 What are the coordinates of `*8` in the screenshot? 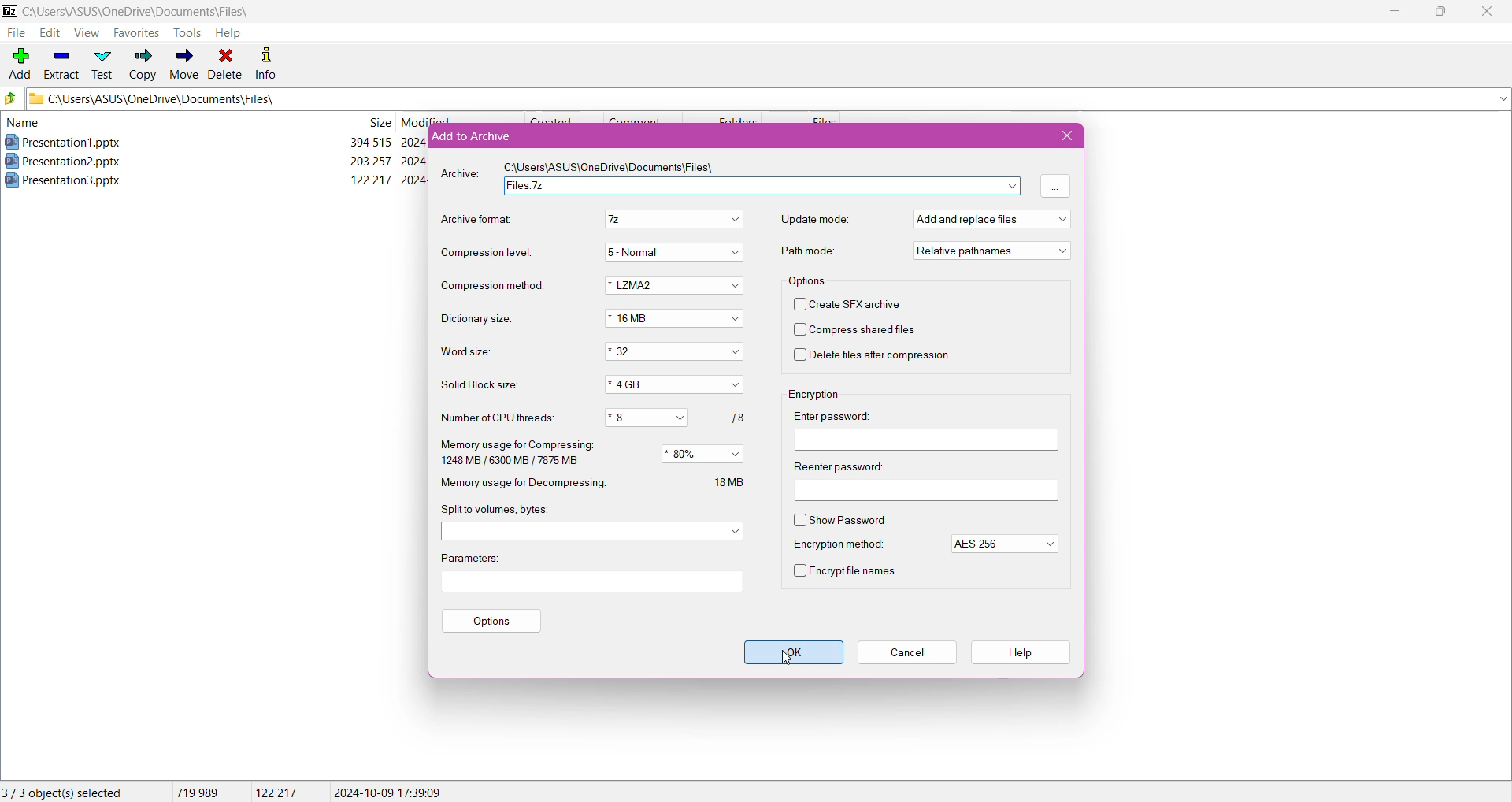 It's located at (650, 418).